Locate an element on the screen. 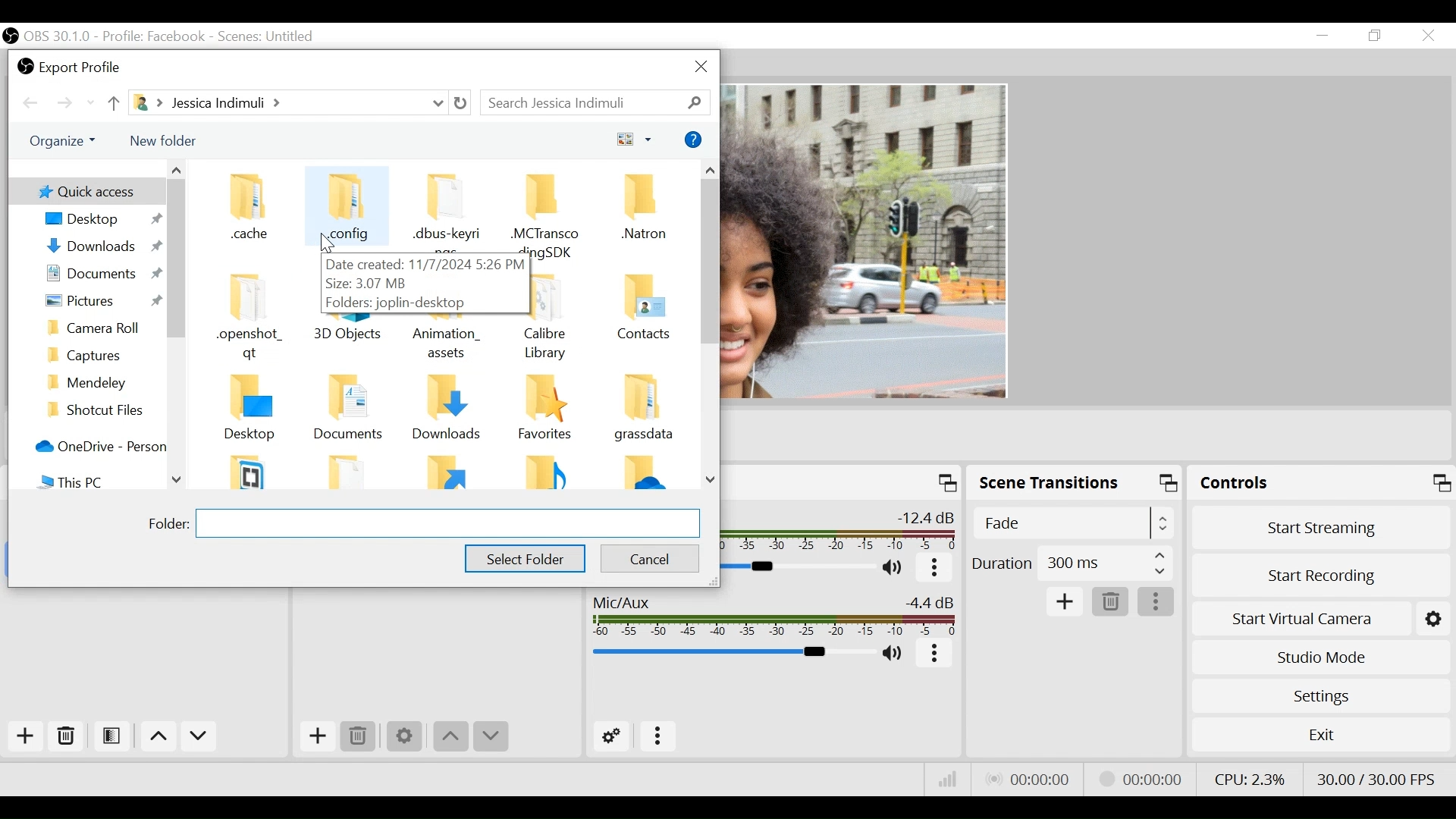 The image size is (1456, 819). Frame Per Second is located at coordinates (1377, 778).